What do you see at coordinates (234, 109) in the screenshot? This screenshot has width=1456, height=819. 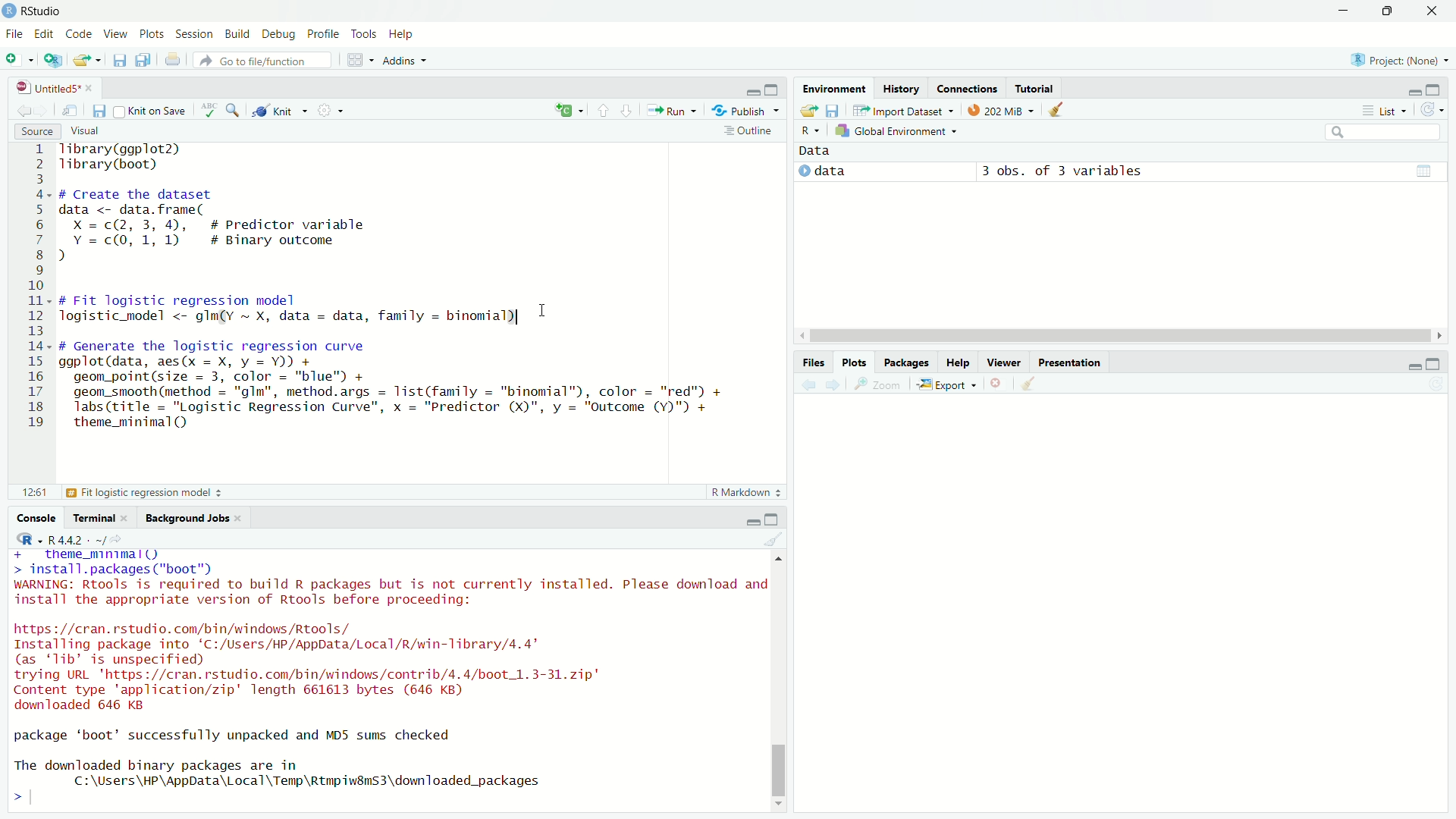 I see `Find/Replace` at bounding box center [234, 109].